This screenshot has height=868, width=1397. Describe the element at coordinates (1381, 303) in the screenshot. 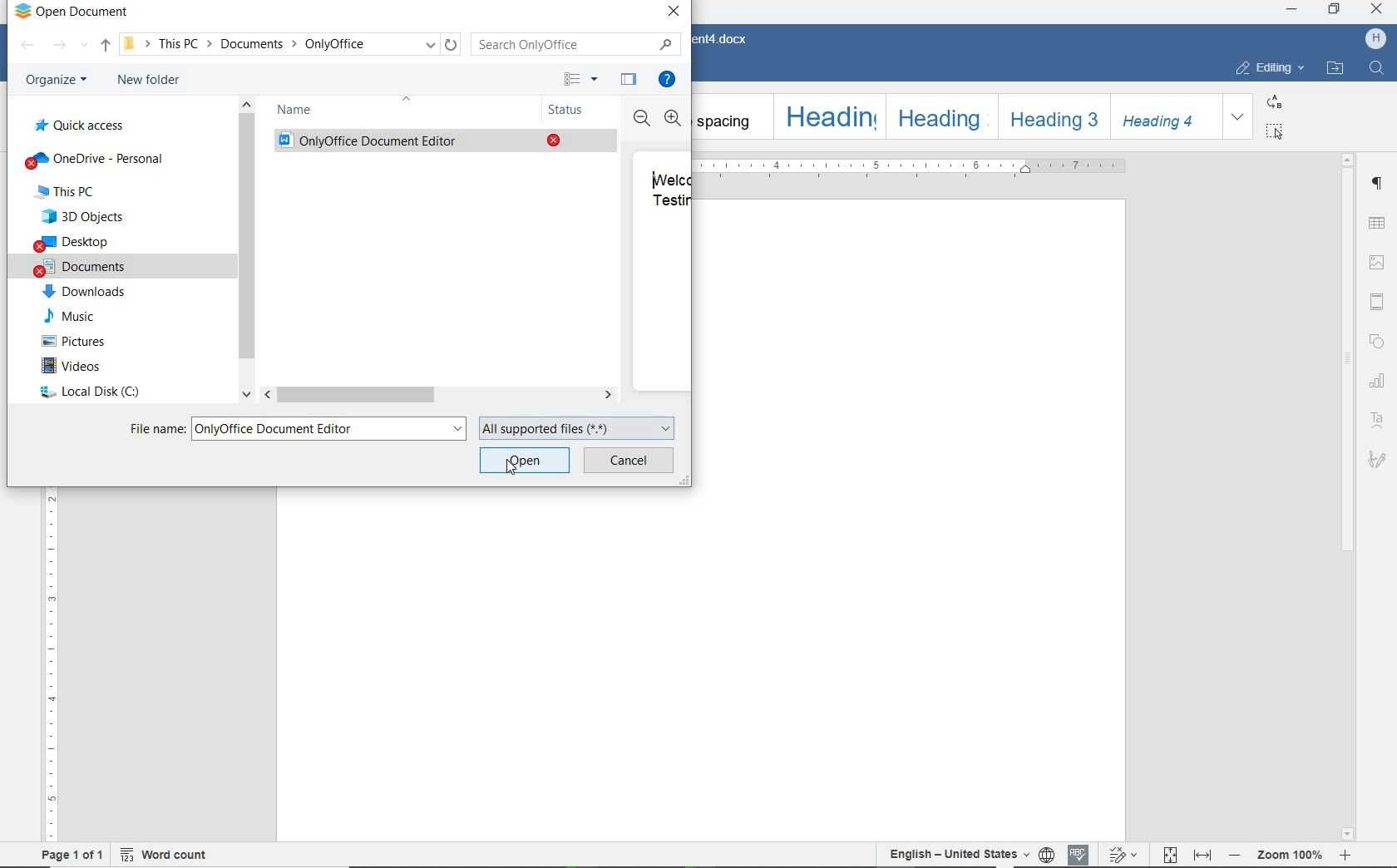

I see `Head and Footer` at that location.